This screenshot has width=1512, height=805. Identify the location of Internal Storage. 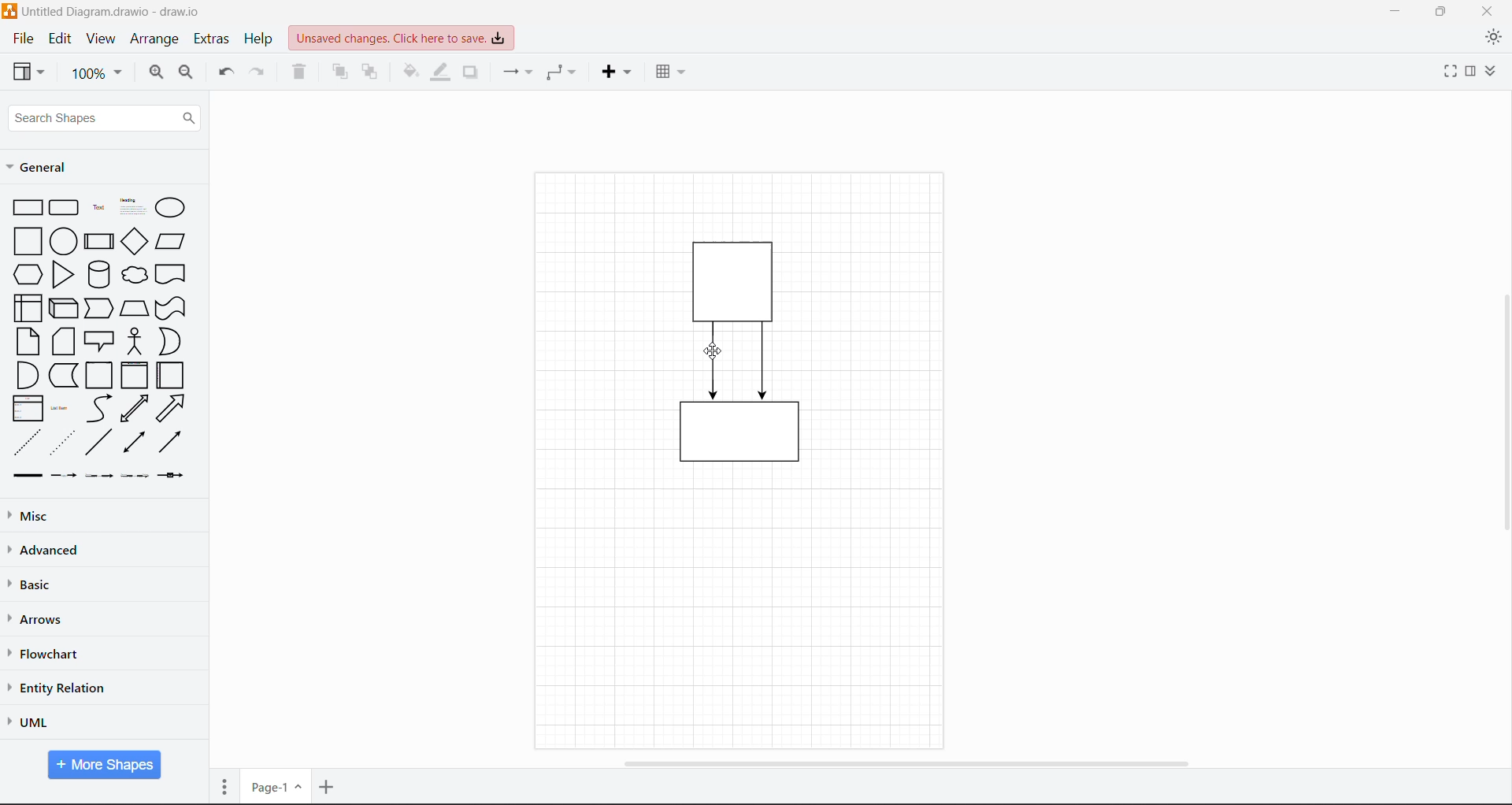
(26, 307).